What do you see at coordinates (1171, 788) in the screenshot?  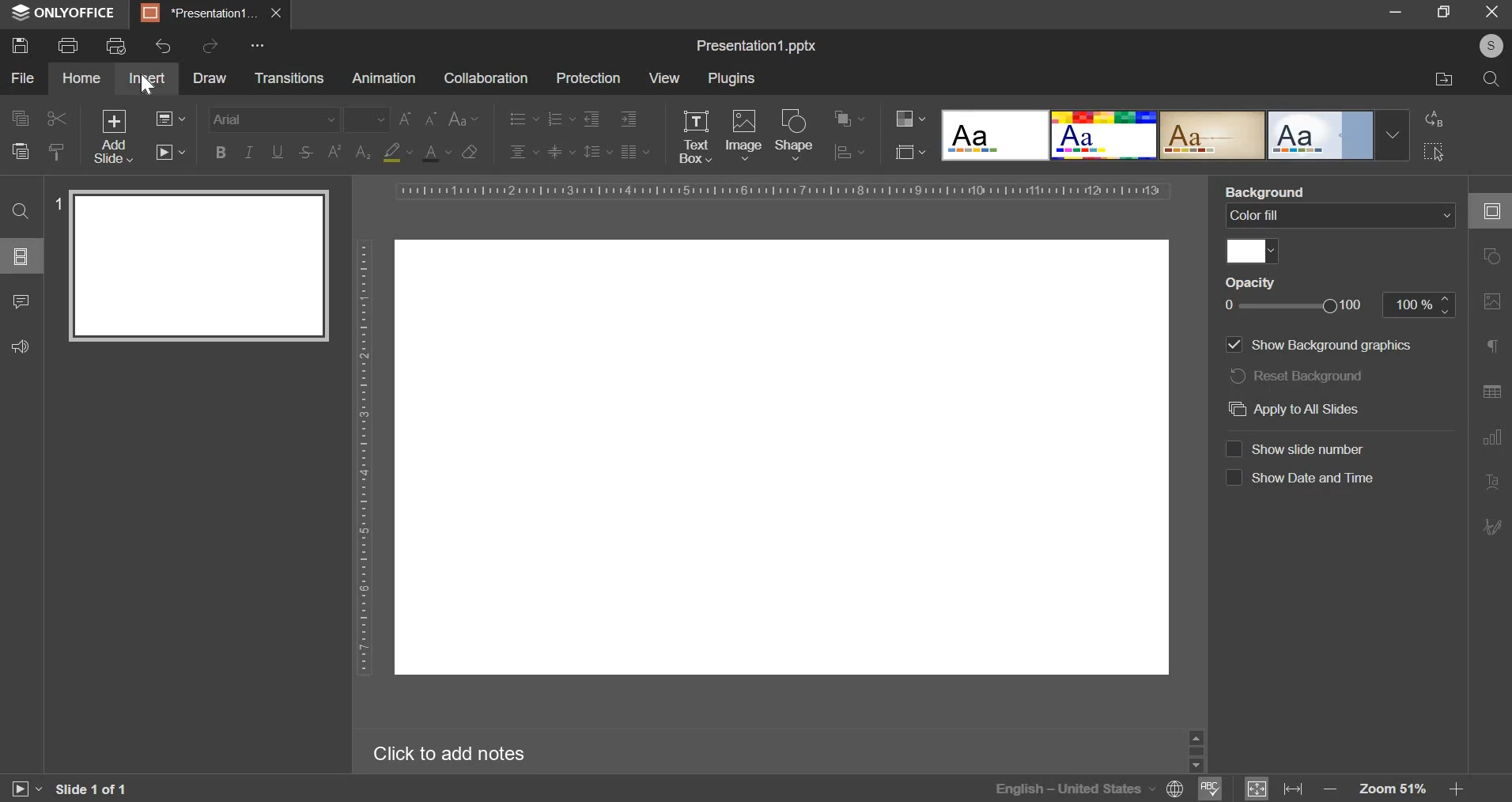 I see `language` at bounding box center [1171, 788].